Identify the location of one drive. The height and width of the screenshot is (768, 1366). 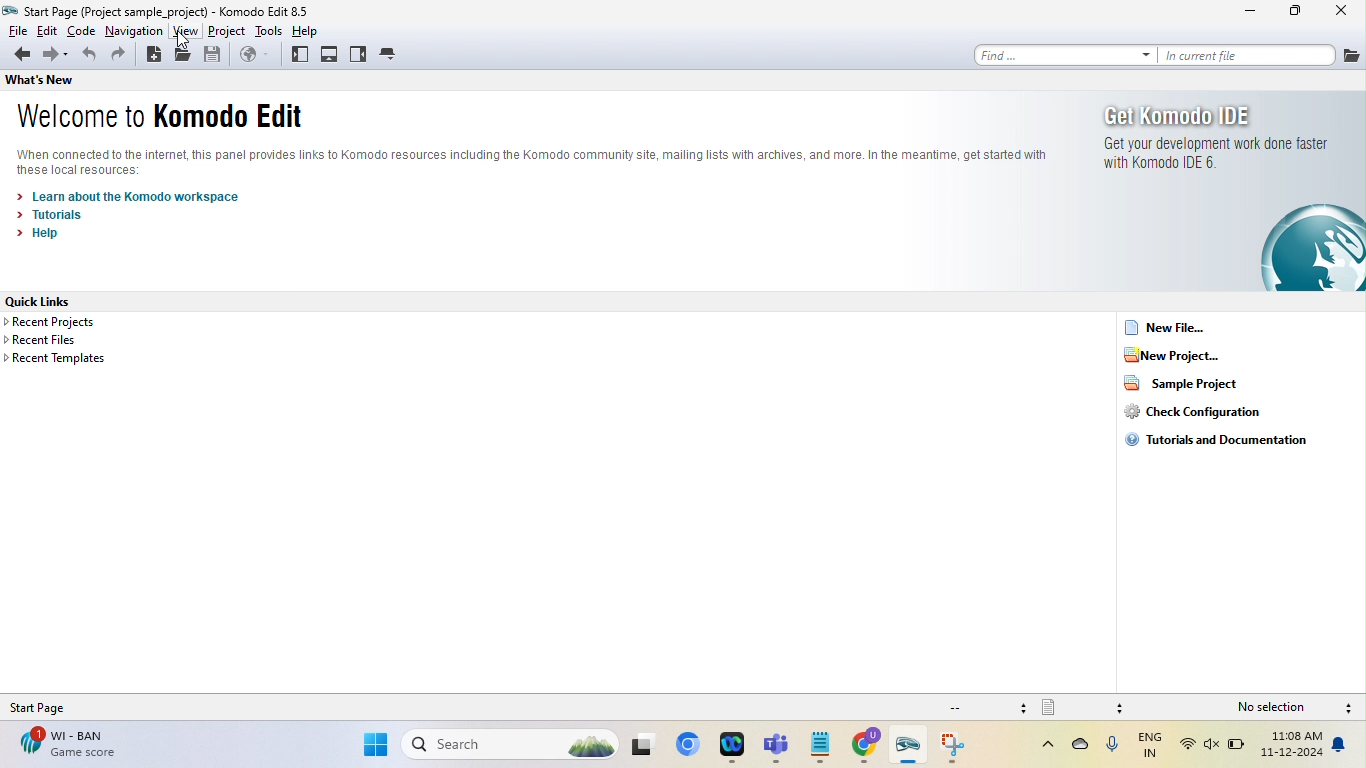
(1081, 748).